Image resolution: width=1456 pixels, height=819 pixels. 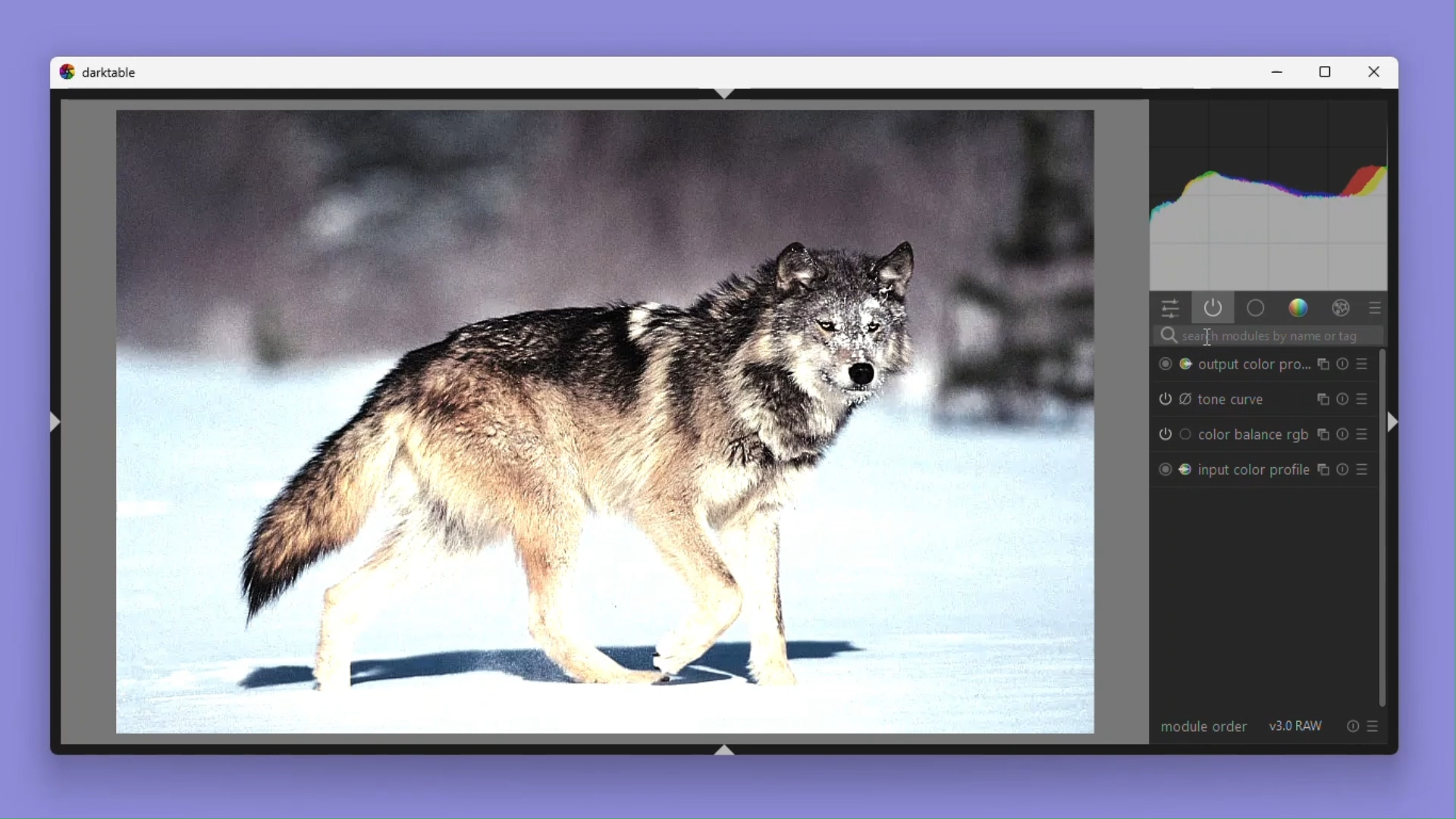 What do you see at coordinates (1170, 309) in the screenshot?
I see `Quick Access` at bounding box center [1170, 309].